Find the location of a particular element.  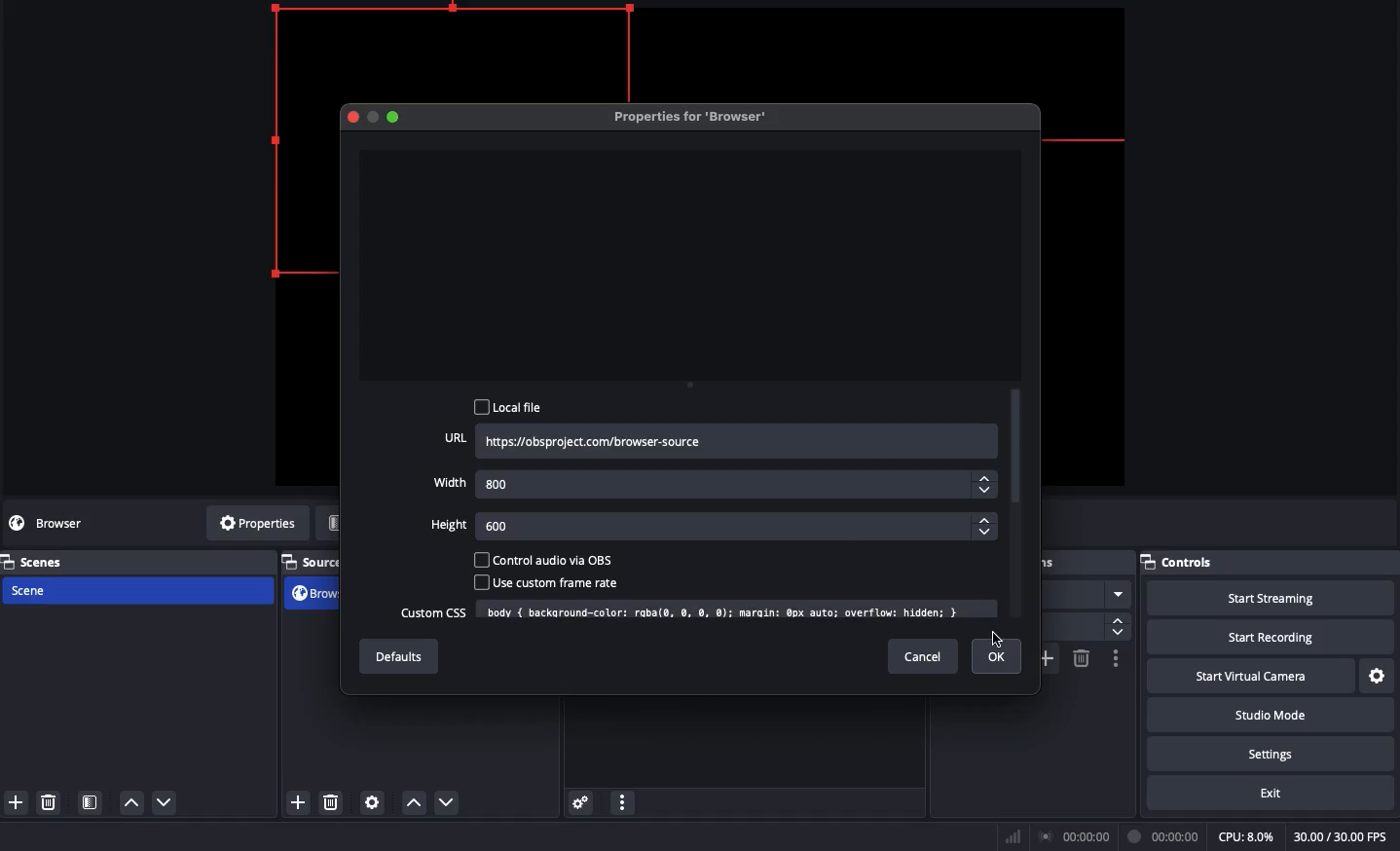

Settings is located at coordinates (582, 802).